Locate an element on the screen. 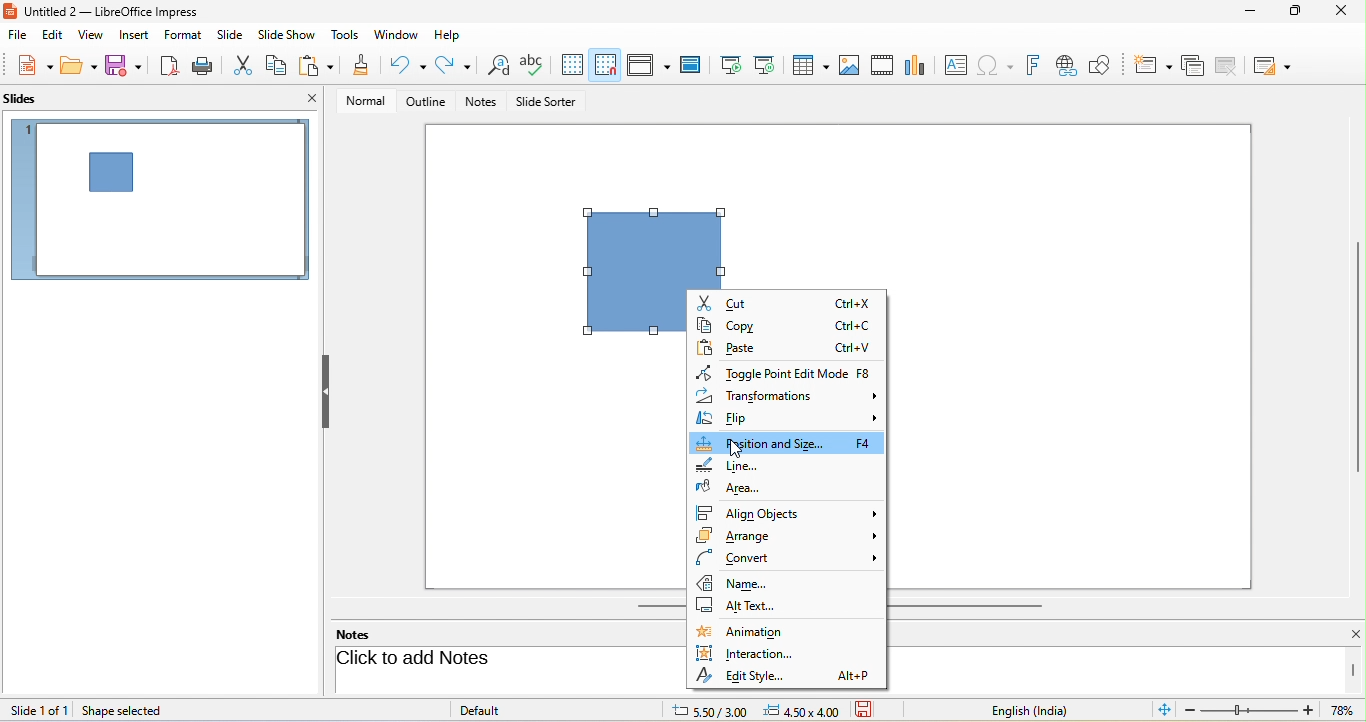  snap to grid is located at coordinates (605, 65).